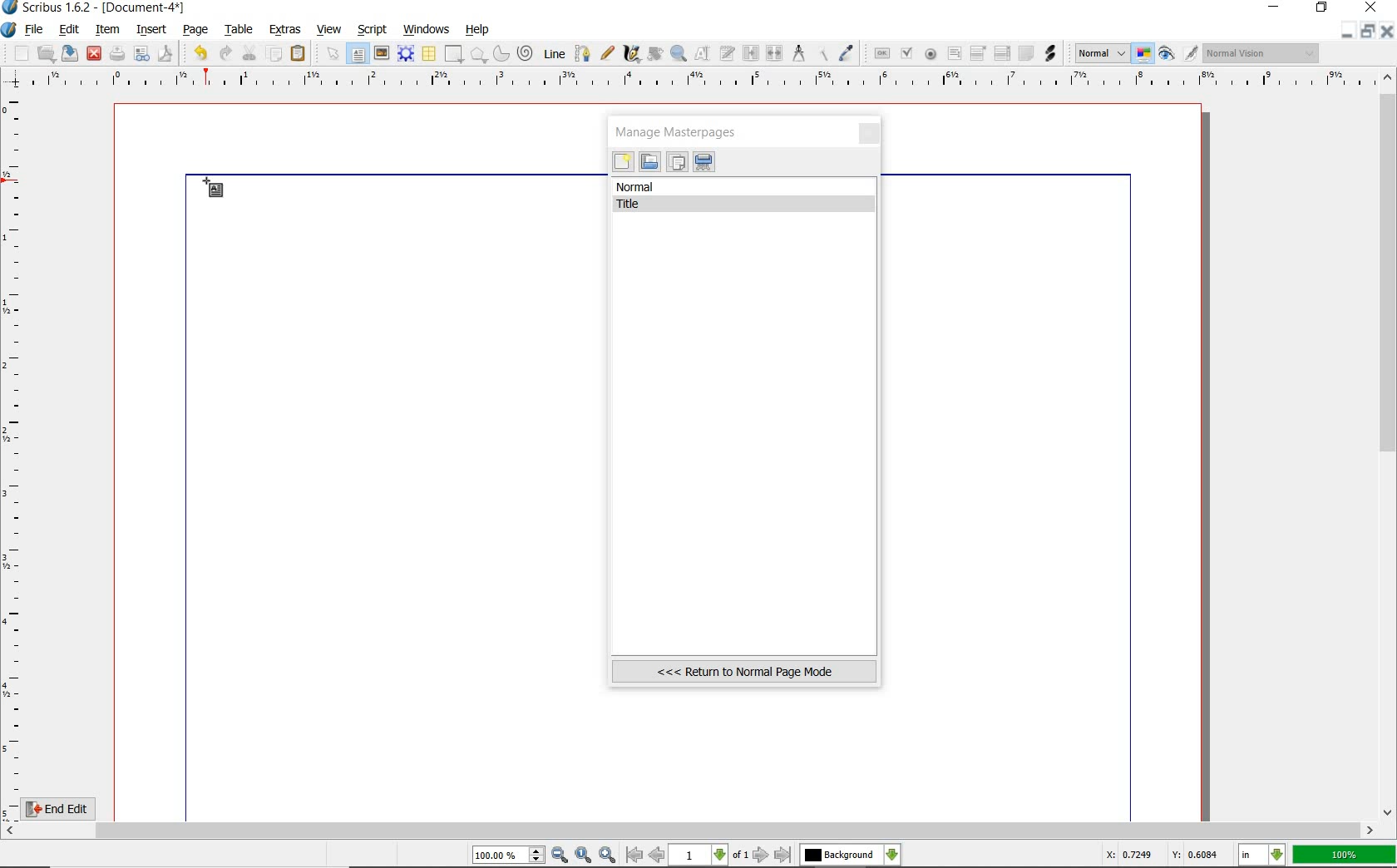 The image size is (1397, 868). Describe the element at coordinates (871, 135) in the screenshot. I see `close` at that location.